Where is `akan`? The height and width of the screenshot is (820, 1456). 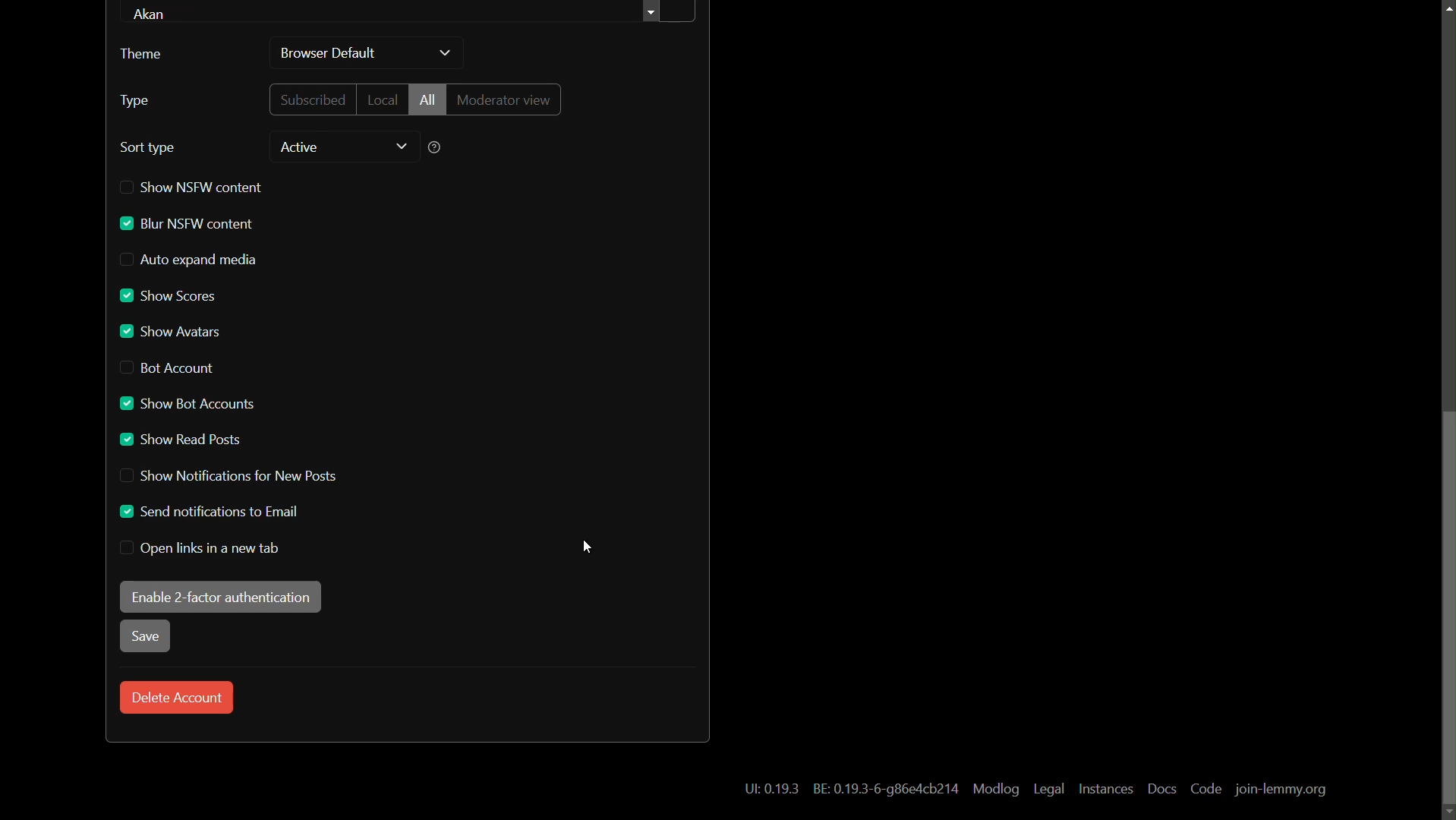
akan is located at coordinates (154, 12).